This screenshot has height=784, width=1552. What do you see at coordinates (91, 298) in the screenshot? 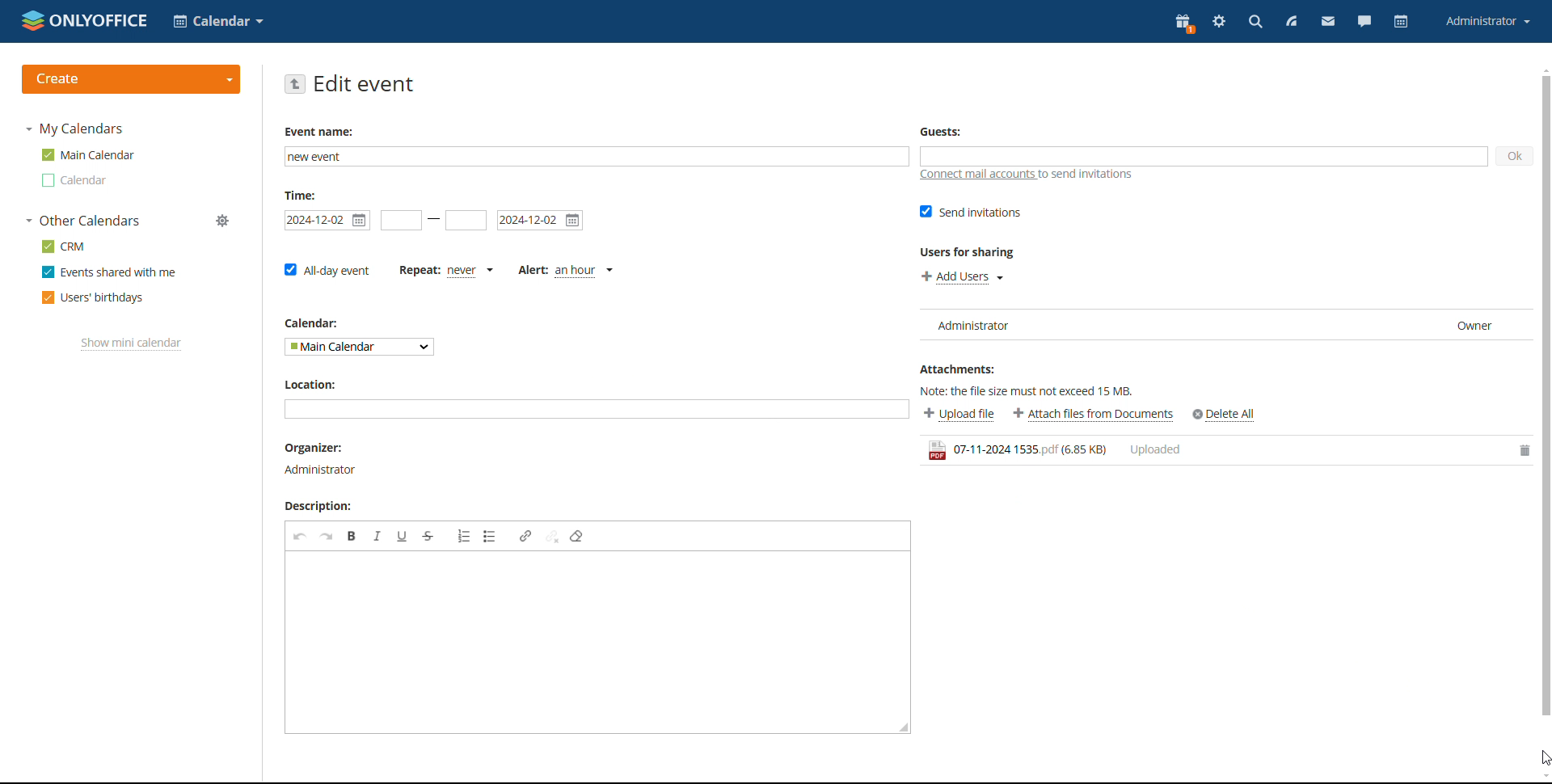
I see `users' birthdays` at bounding box center [91, 298].